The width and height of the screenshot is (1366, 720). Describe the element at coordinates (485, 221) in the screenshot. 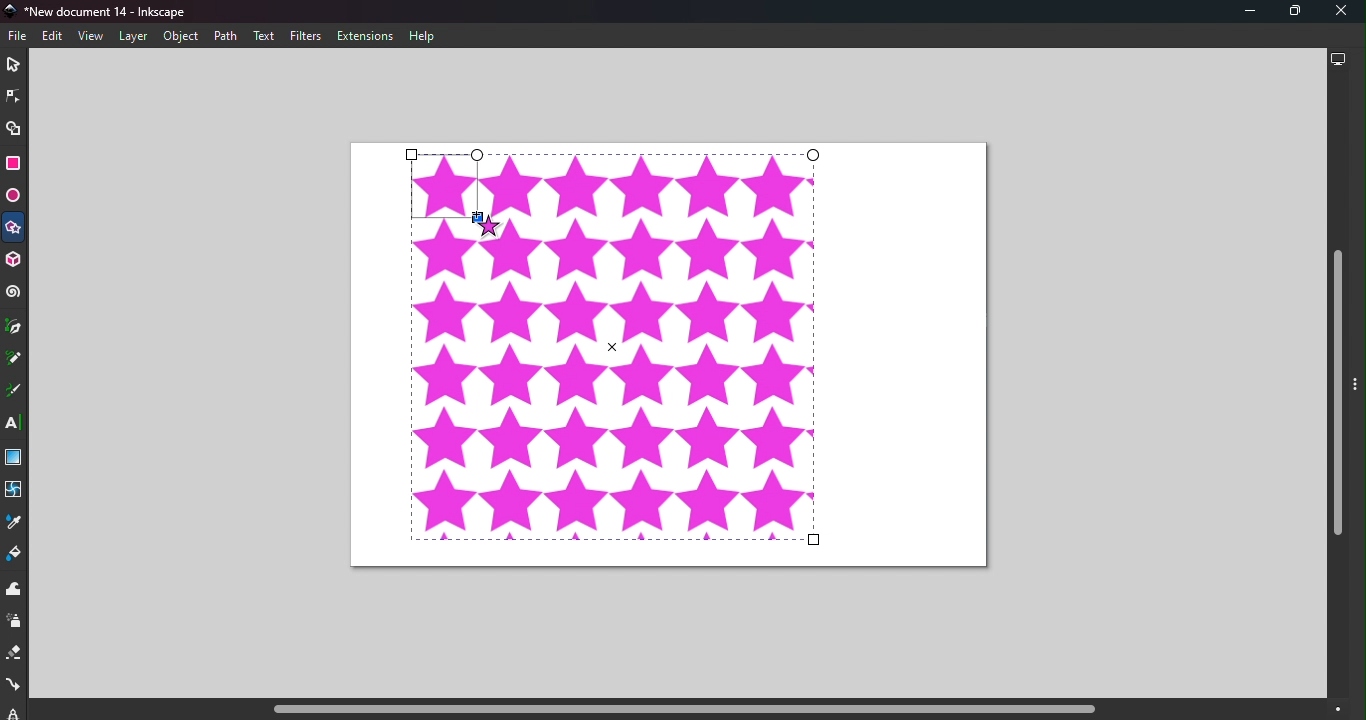

I see `Cursor` at that location.